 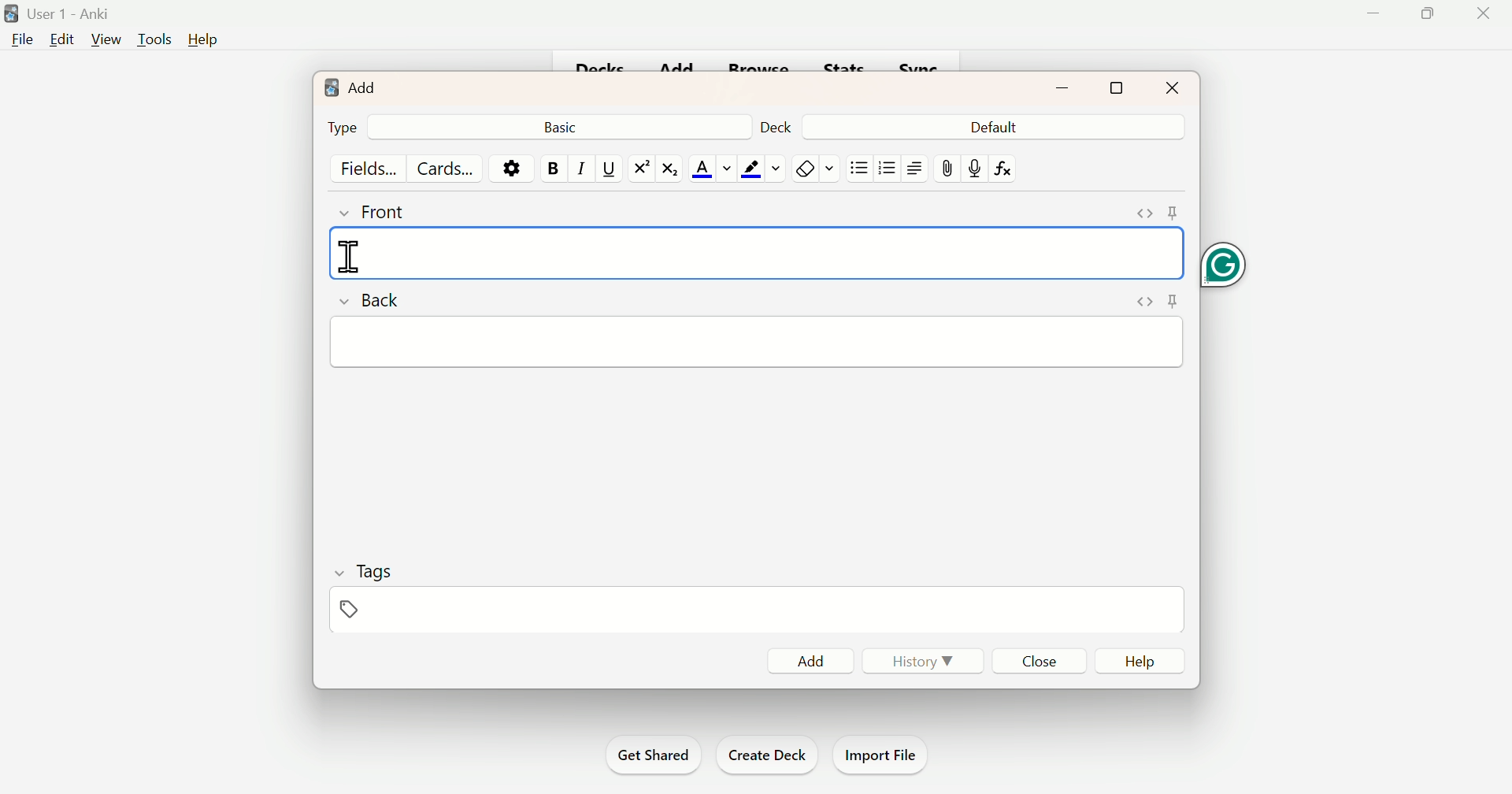 What do you see at coordinates (376, 304) in the screenshot?
I see `Back` at bounding box center [376, 304].